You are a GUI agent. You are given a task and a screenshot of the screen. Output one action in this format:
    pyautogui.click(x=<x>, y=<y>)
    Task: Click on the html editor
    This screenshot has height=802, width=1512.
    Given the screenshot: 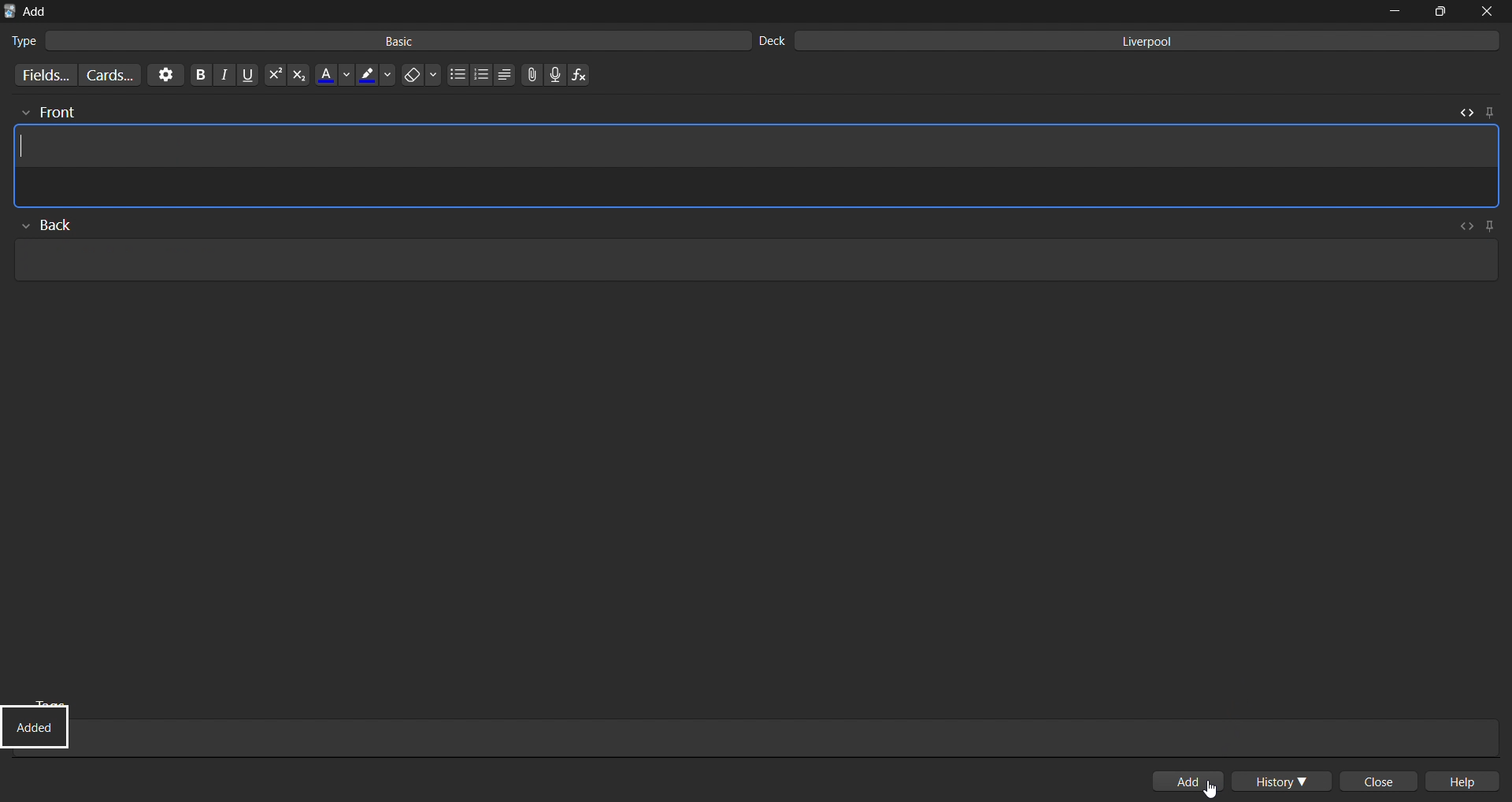 What is the action you would take?
    pyautogui.click(x=758, y=188)
    